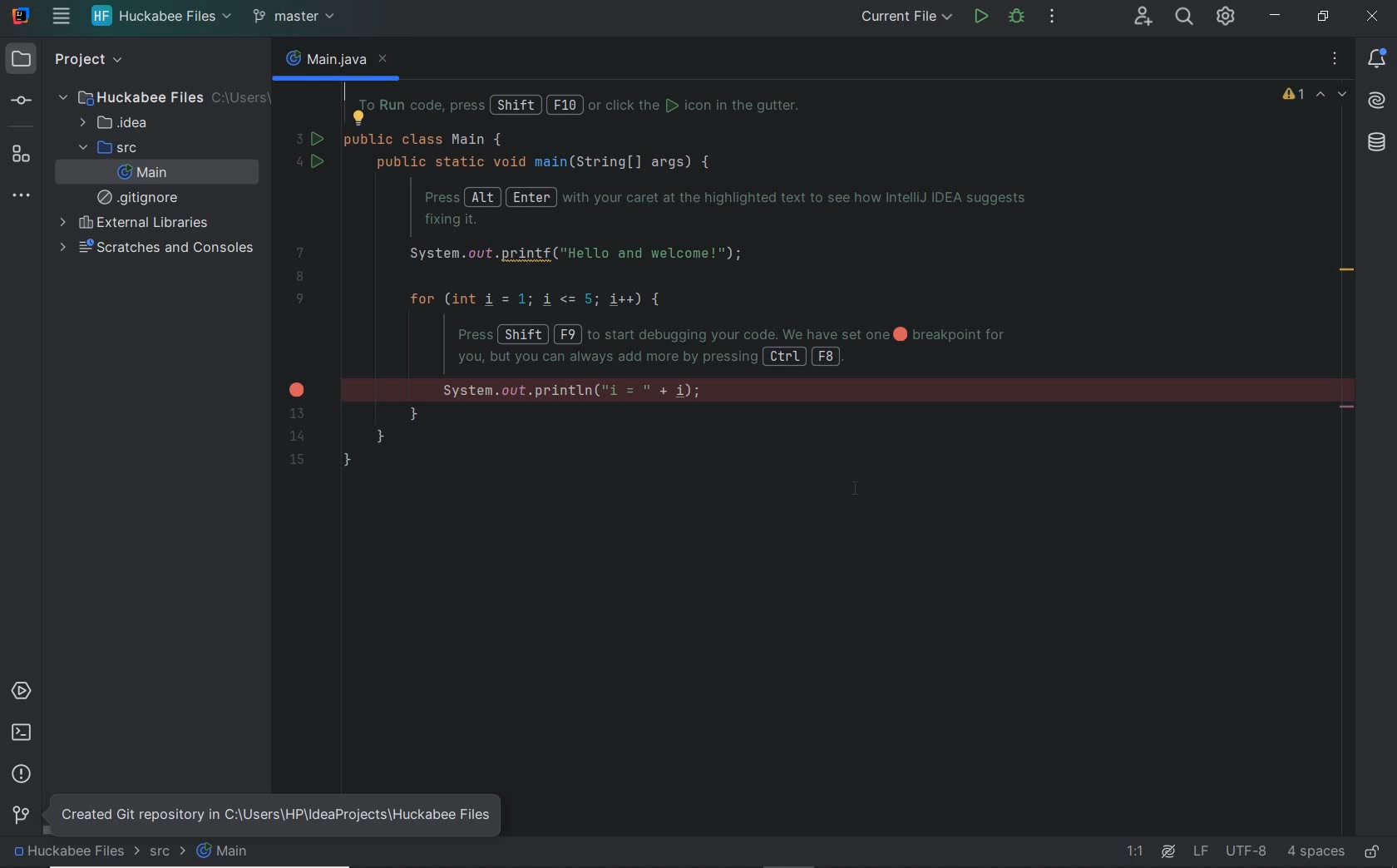 The image size is (1397, 868). Describe the element at coordinates (732, 274) in the screenshot. I see `codes` at that location.